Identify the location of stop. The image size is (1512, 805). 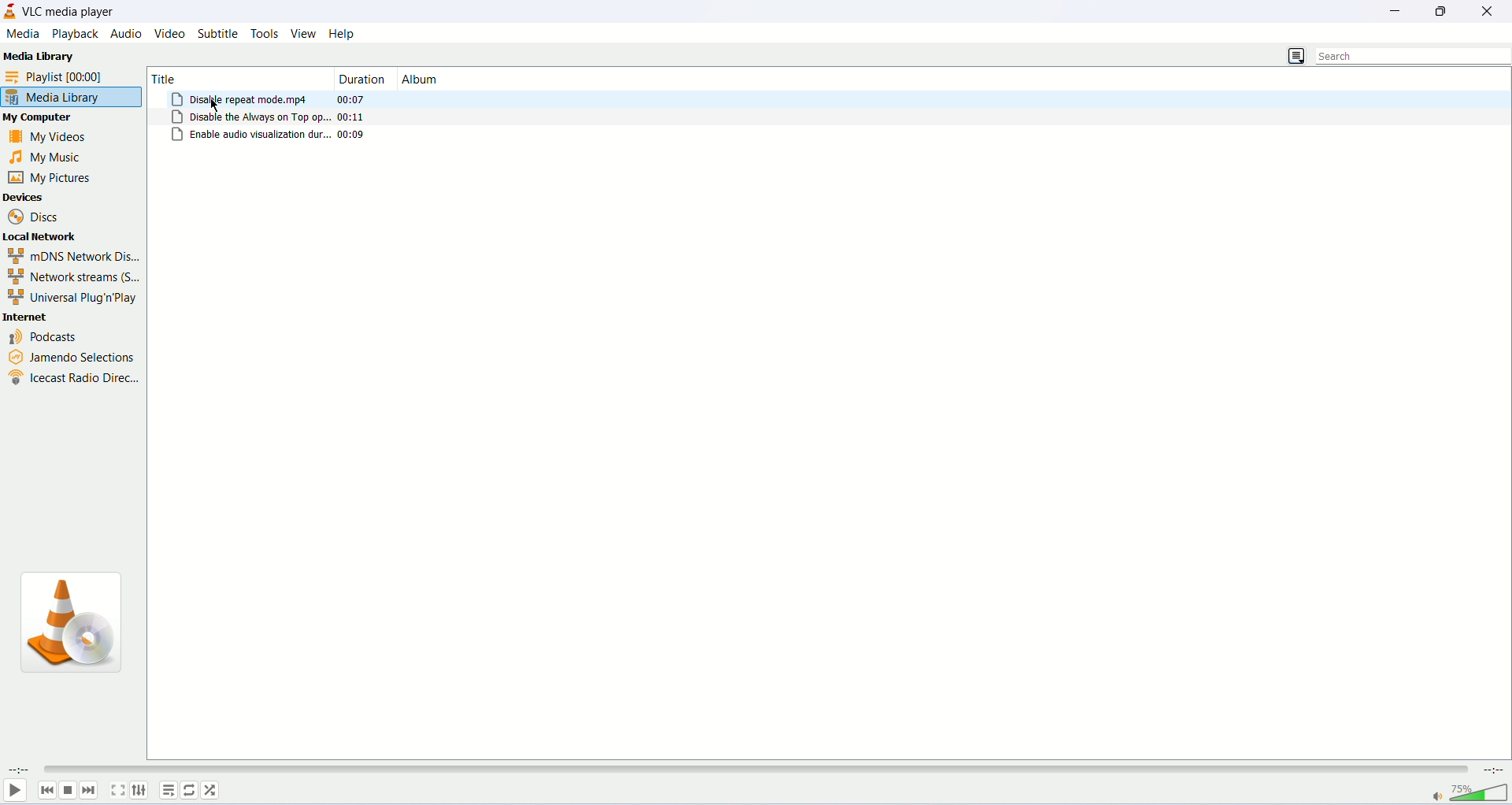
(68, 791).